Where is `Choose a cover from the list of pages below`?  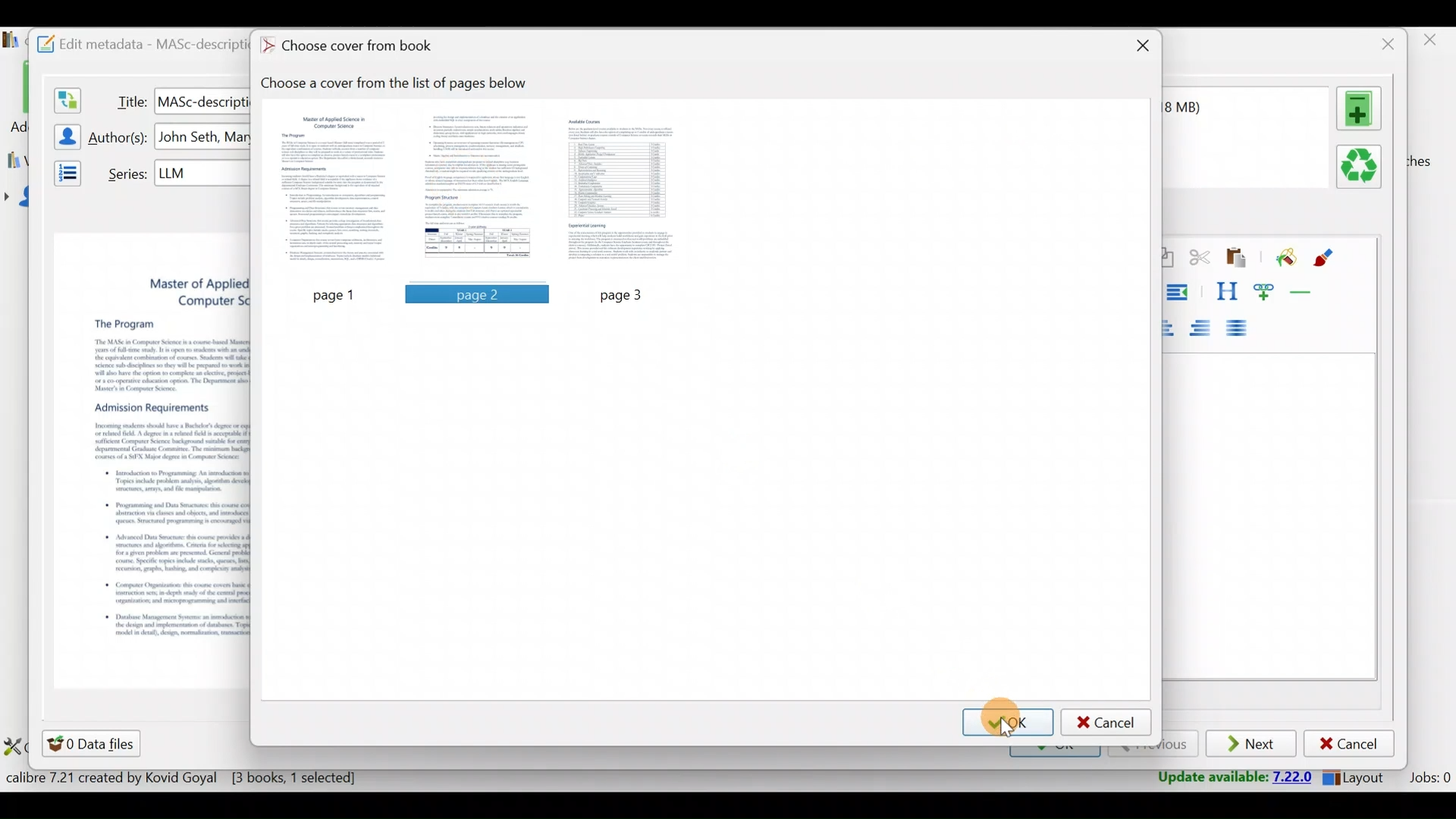 Choose a cover from the list of pages below is located at coordinates (402, 83).